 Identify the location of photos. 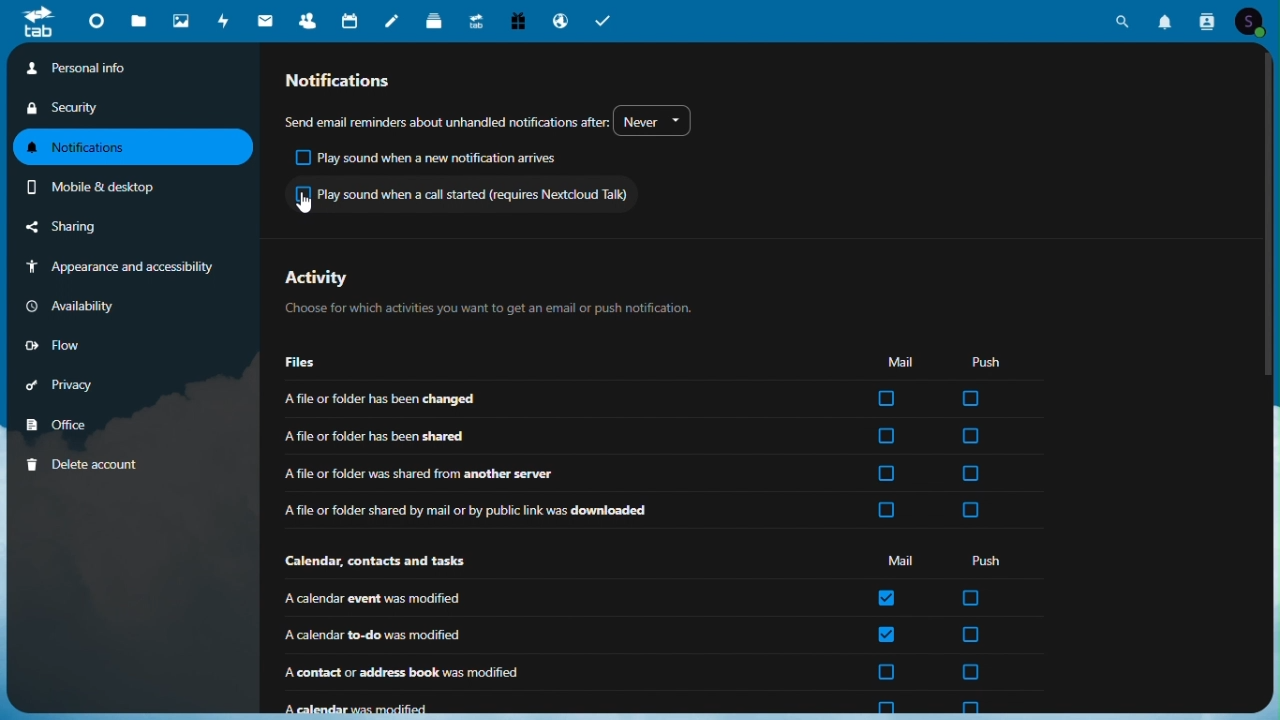
(180, 19).